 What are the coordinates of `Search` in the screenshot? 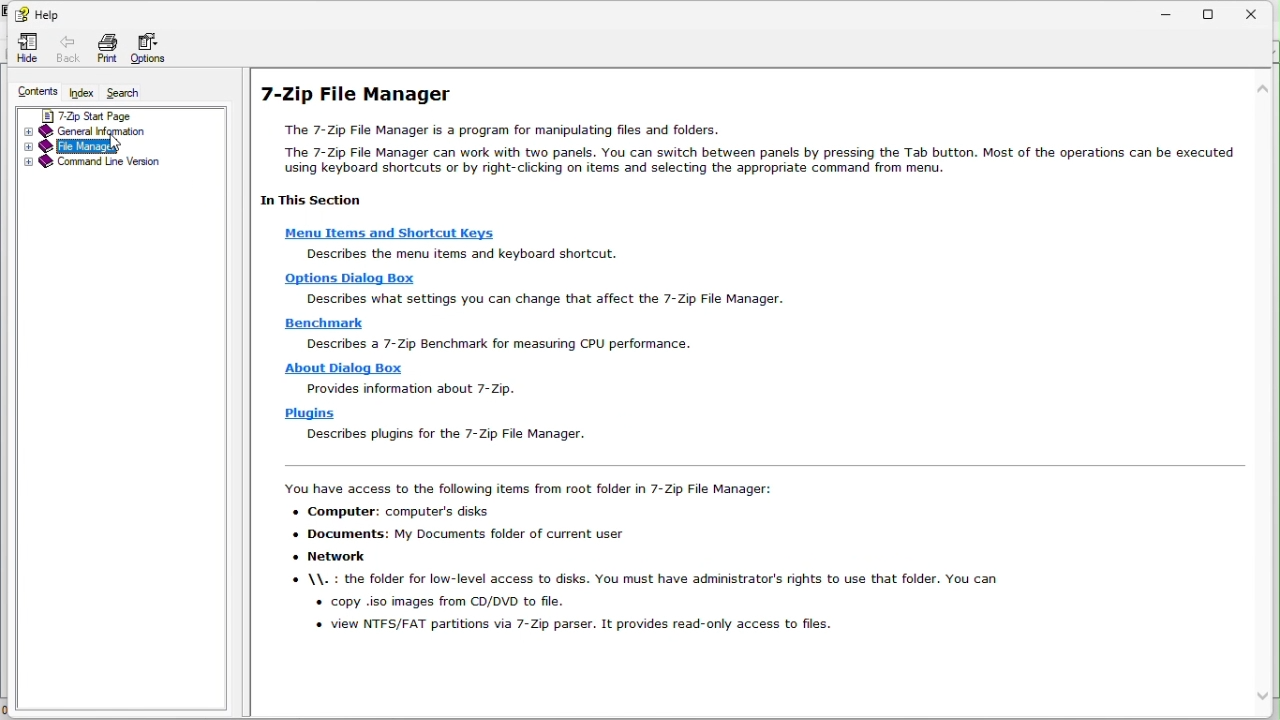 It's located at (130, 93).